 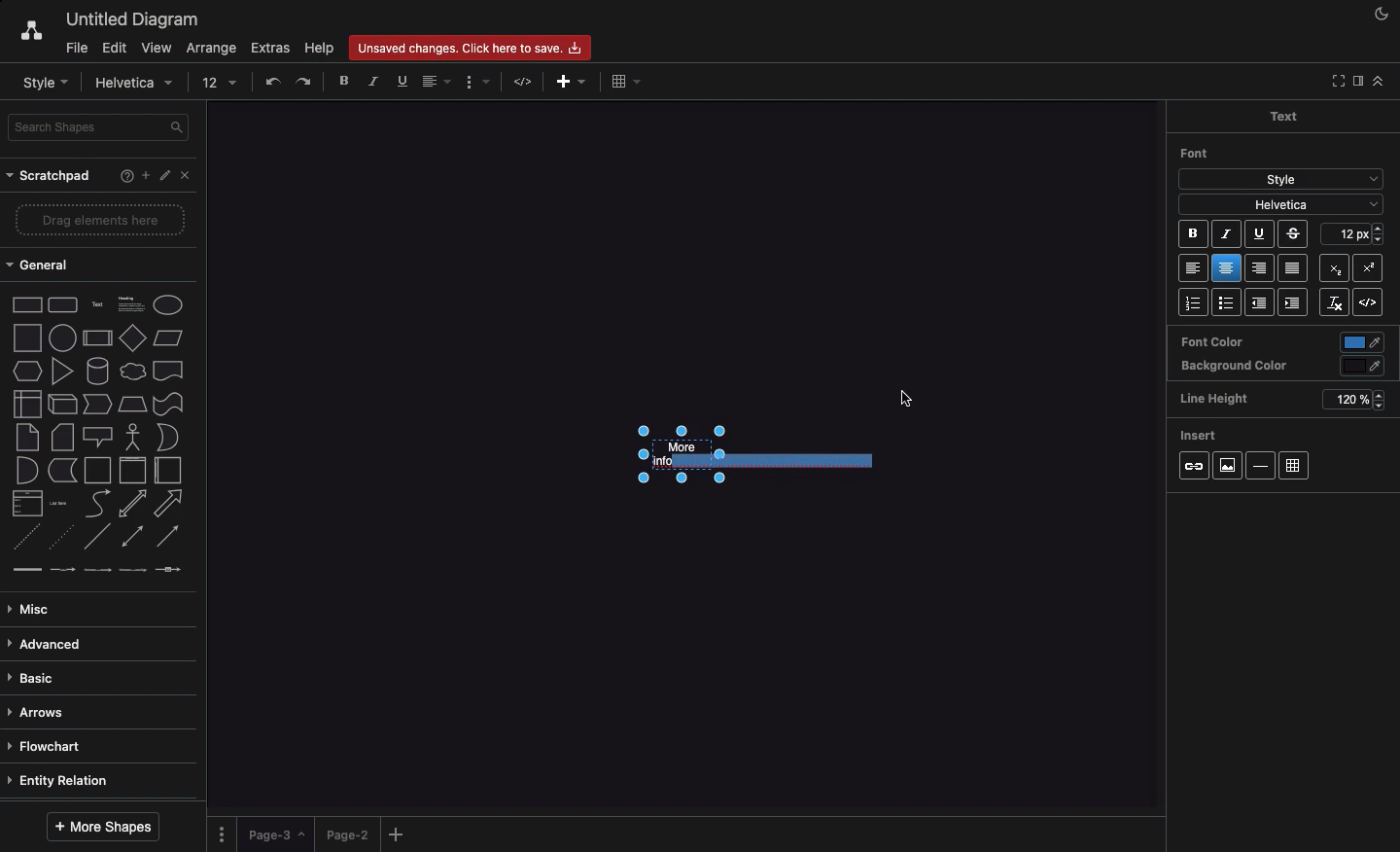 I want to click on Font color, so click(x=1211, y=340).